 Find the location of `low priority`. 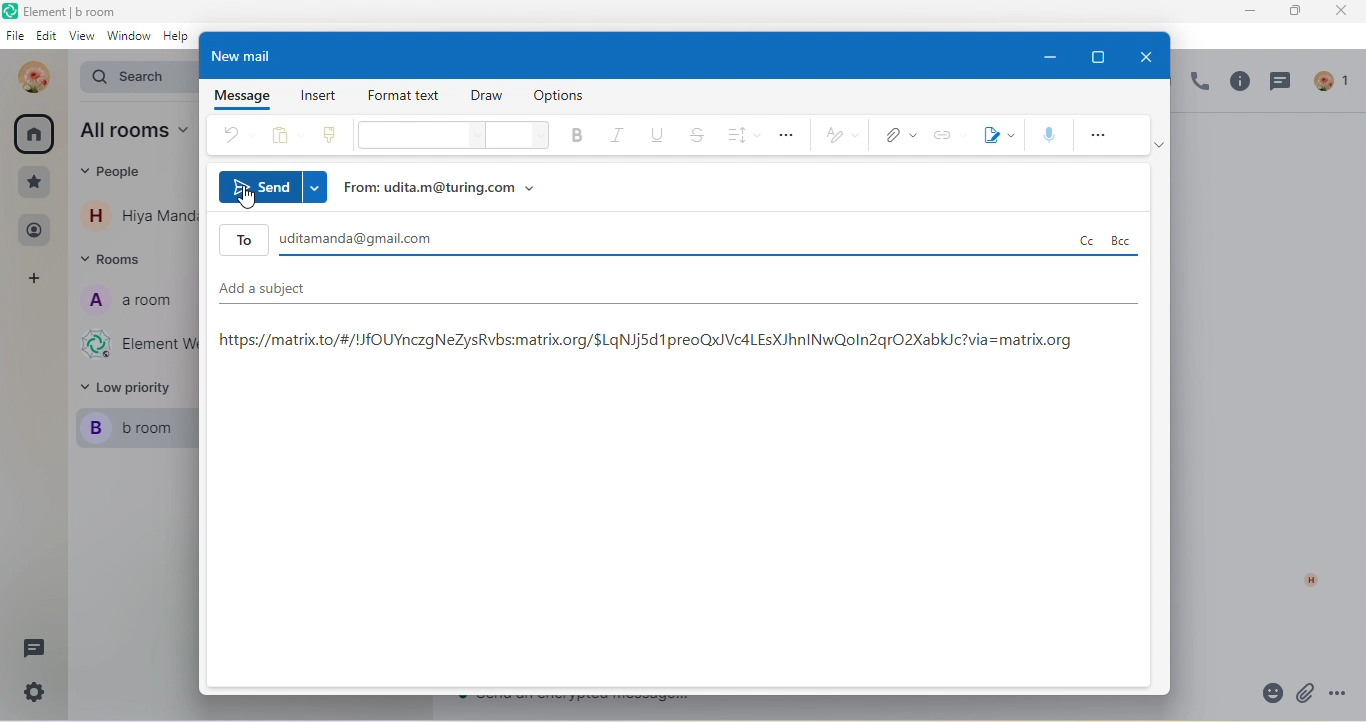

low priority is located at coordinates (132, 389).